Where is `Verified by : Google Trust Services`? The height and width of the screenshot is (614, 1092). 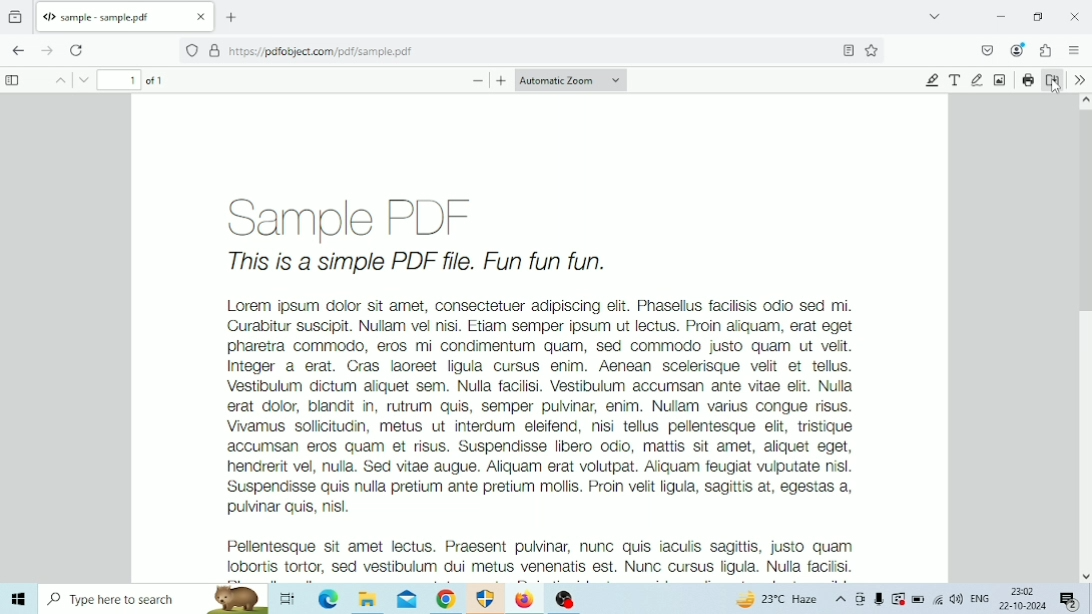 Verified by : Google Trust Services is located at coordinates (215, 51).